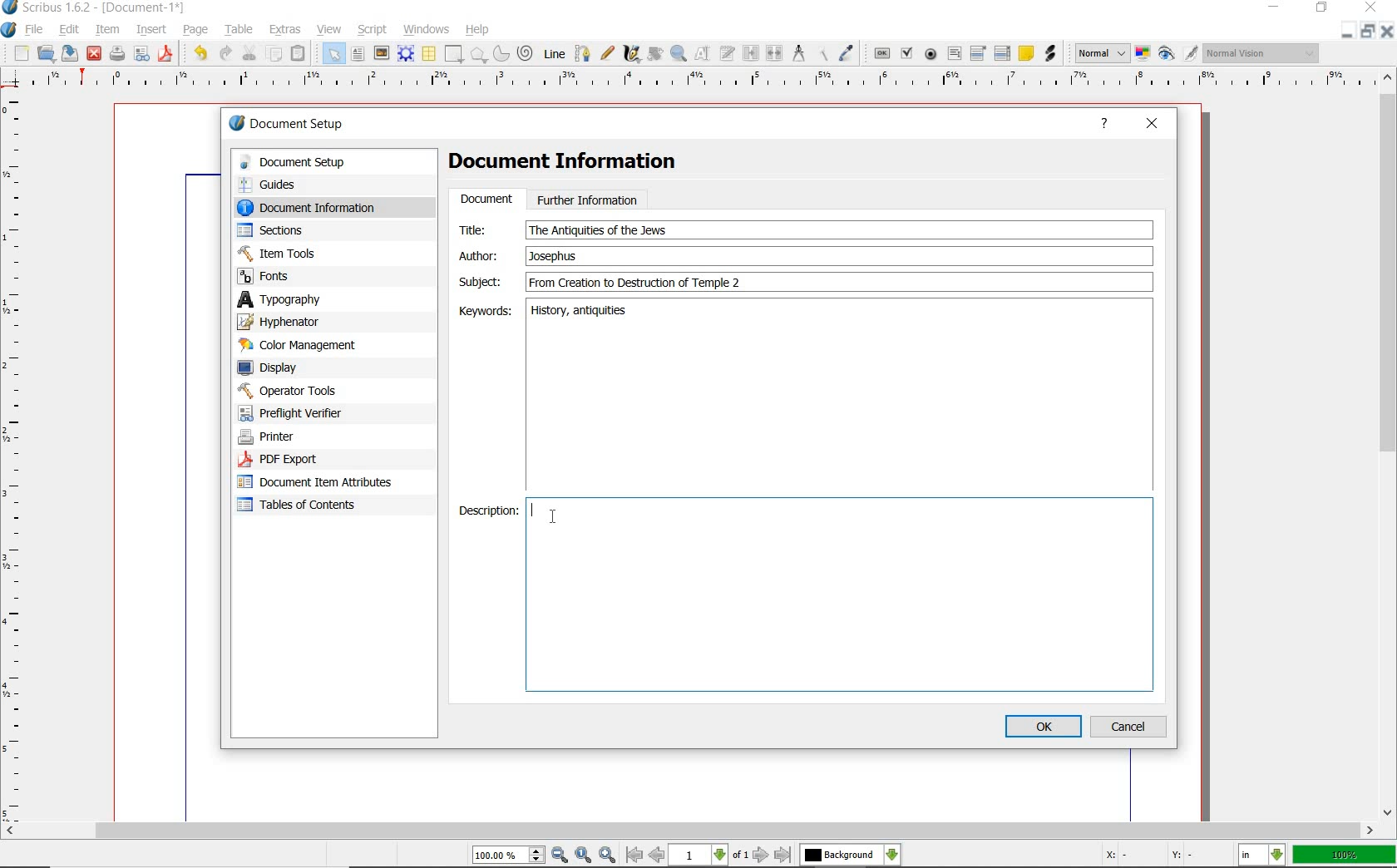 Image resolution: width=1397 pixels, height=868 pixels. Describe the element at coordinates (427, 30) in the screenshot. I see `windows` at that location.